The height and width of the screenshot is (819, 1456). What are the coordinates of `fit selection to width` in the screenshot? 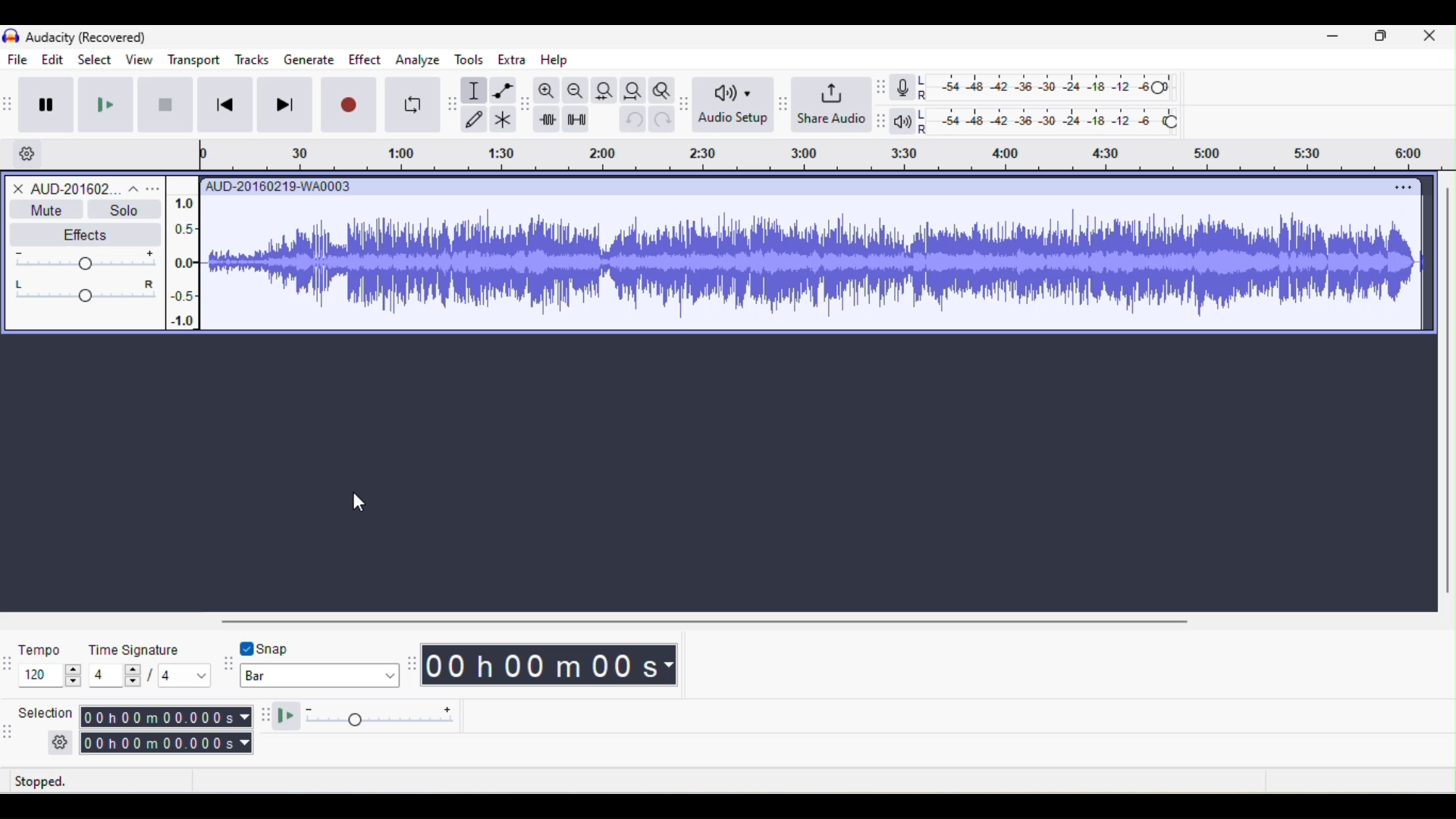 It's located at (604, 93).